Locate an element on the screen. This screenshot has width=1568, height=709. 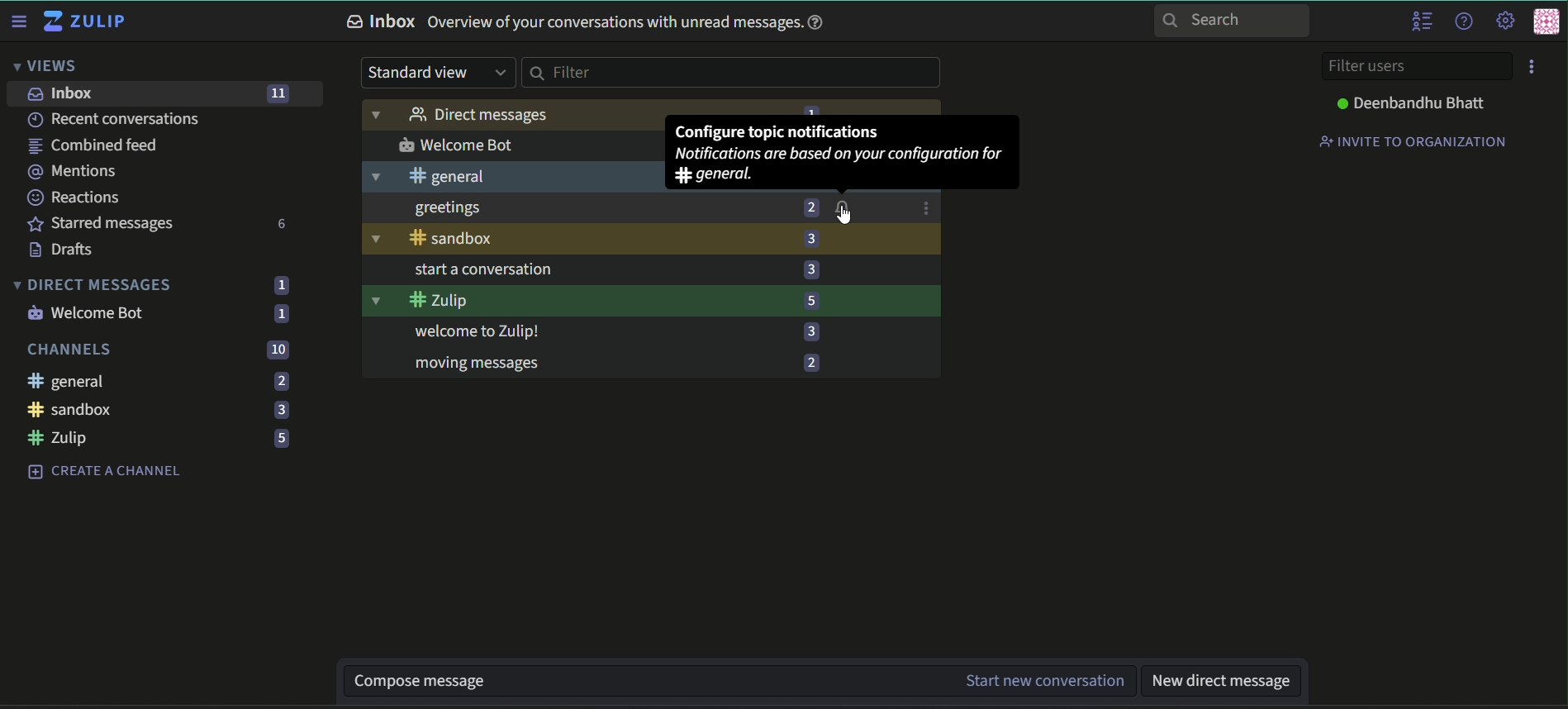
new direct message is located at coordinates (1219, 681).